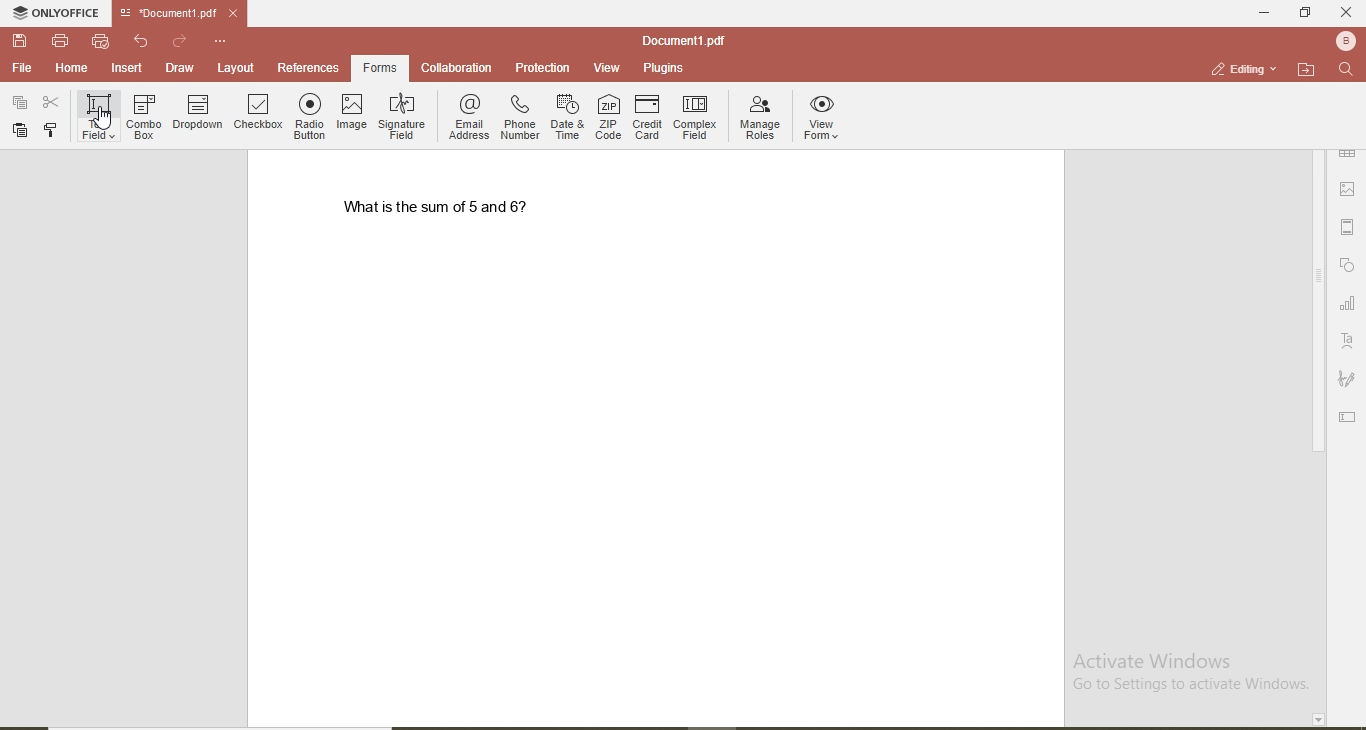  What do you see at coordinates (1317, 719) in the screenshot?
I see `page down` at bounding box center [1317, 719].